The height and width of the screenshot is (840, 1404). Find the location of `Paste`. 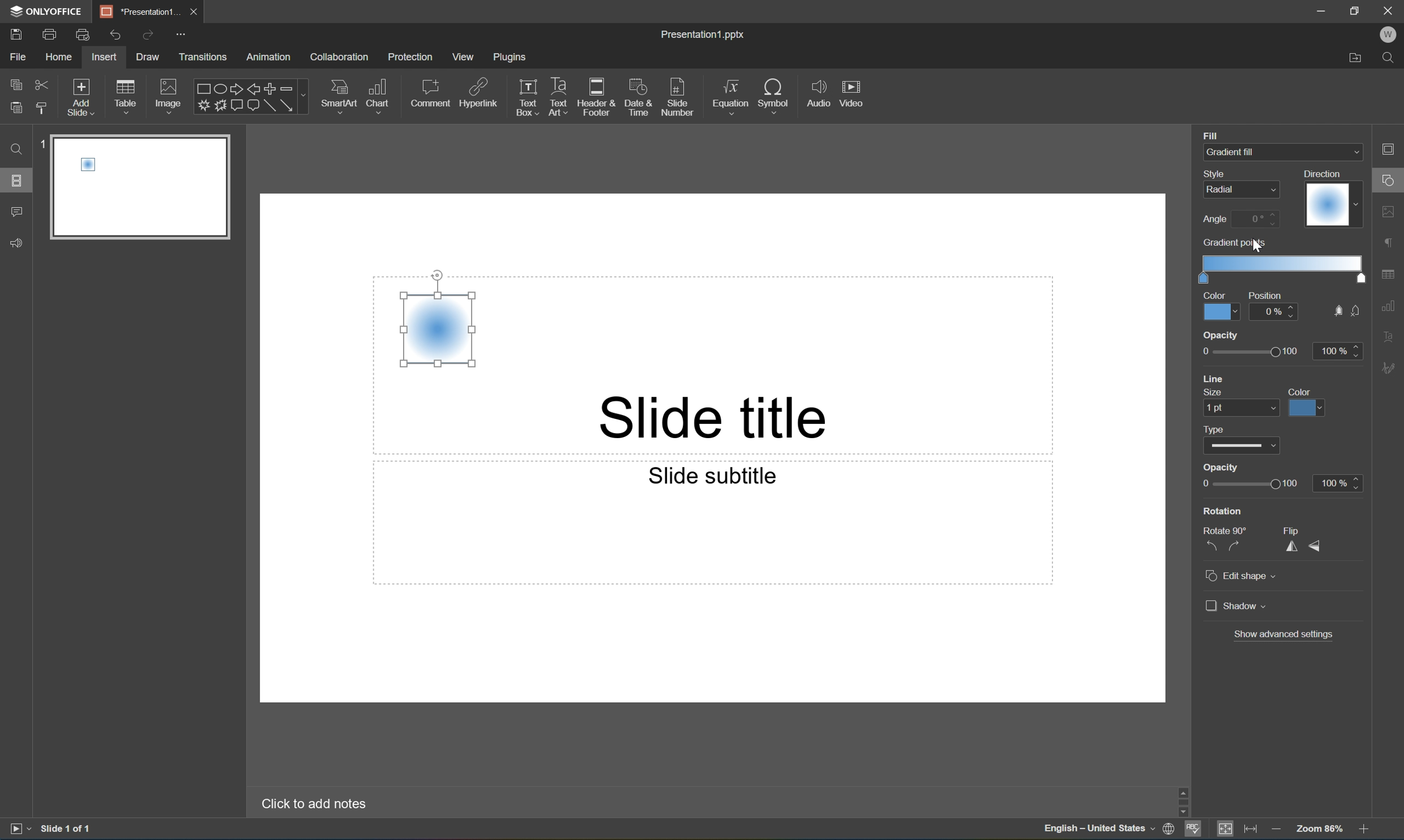

Paste is located at coordinates (16, 108).